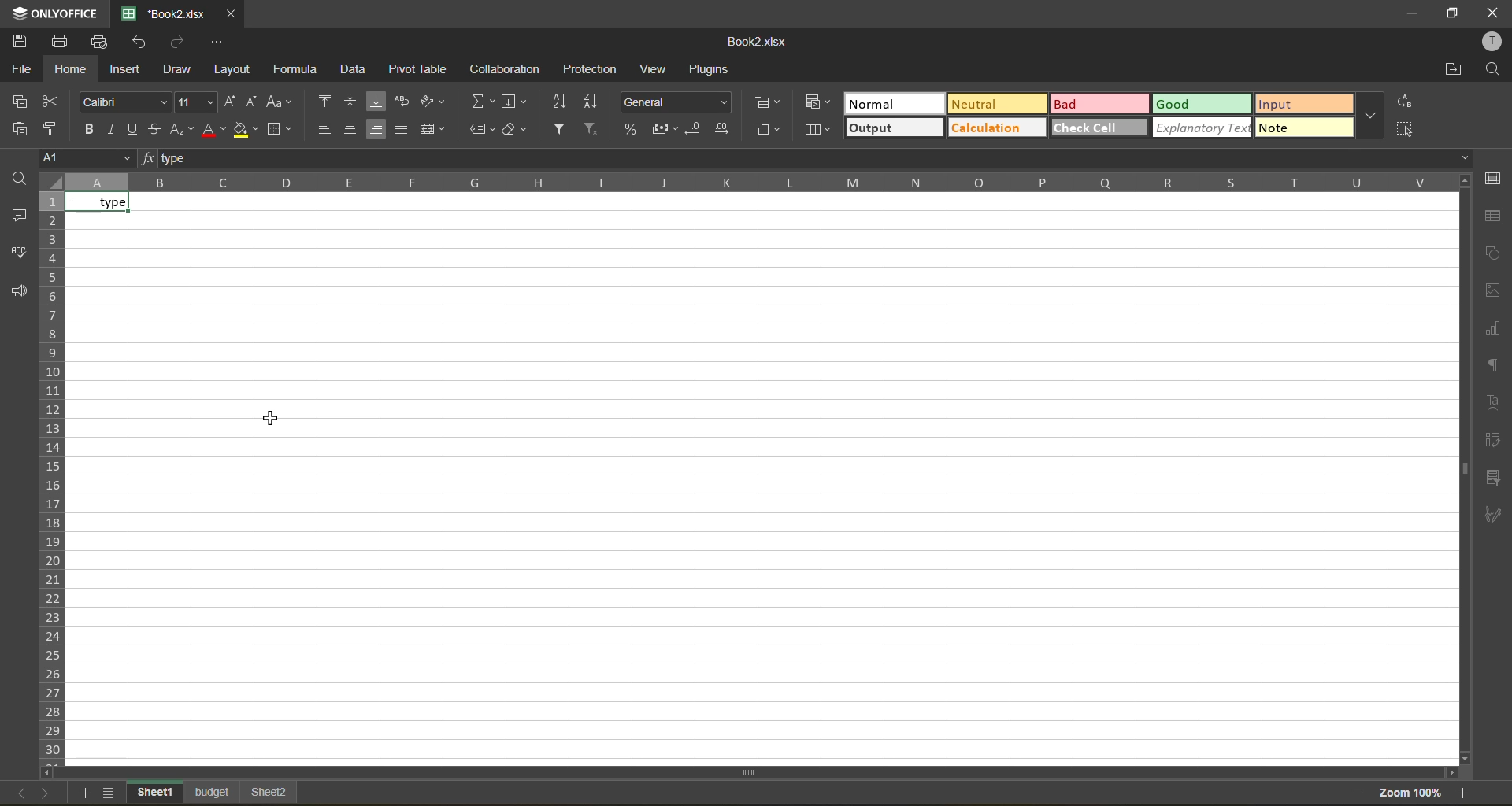 Image resolution: width=1512 pixels, height=806 pixels. I want to click on font color, so click(213, 128).